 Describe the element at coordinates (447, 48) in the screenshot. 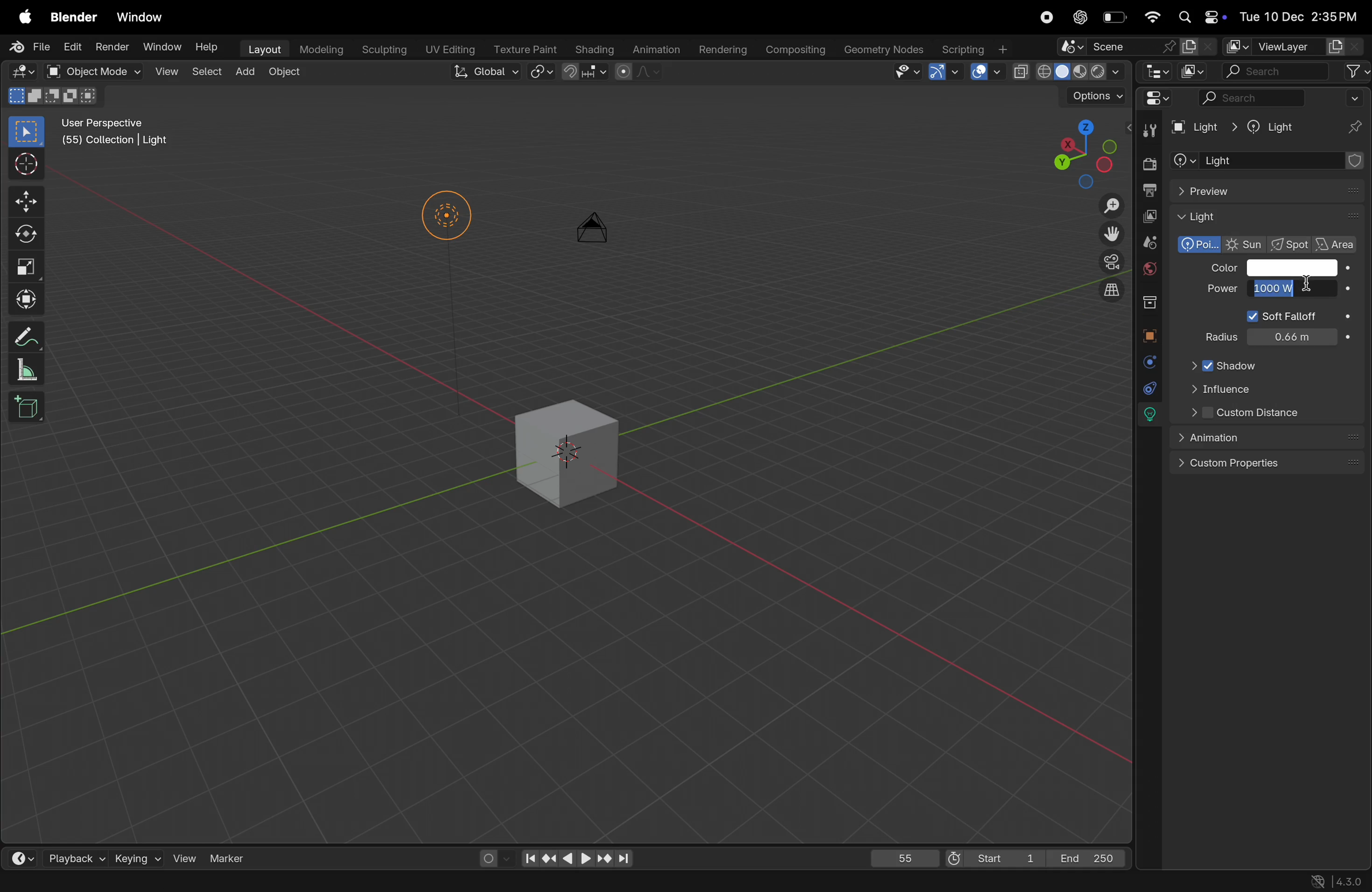

I see `Uv editing` at that location.